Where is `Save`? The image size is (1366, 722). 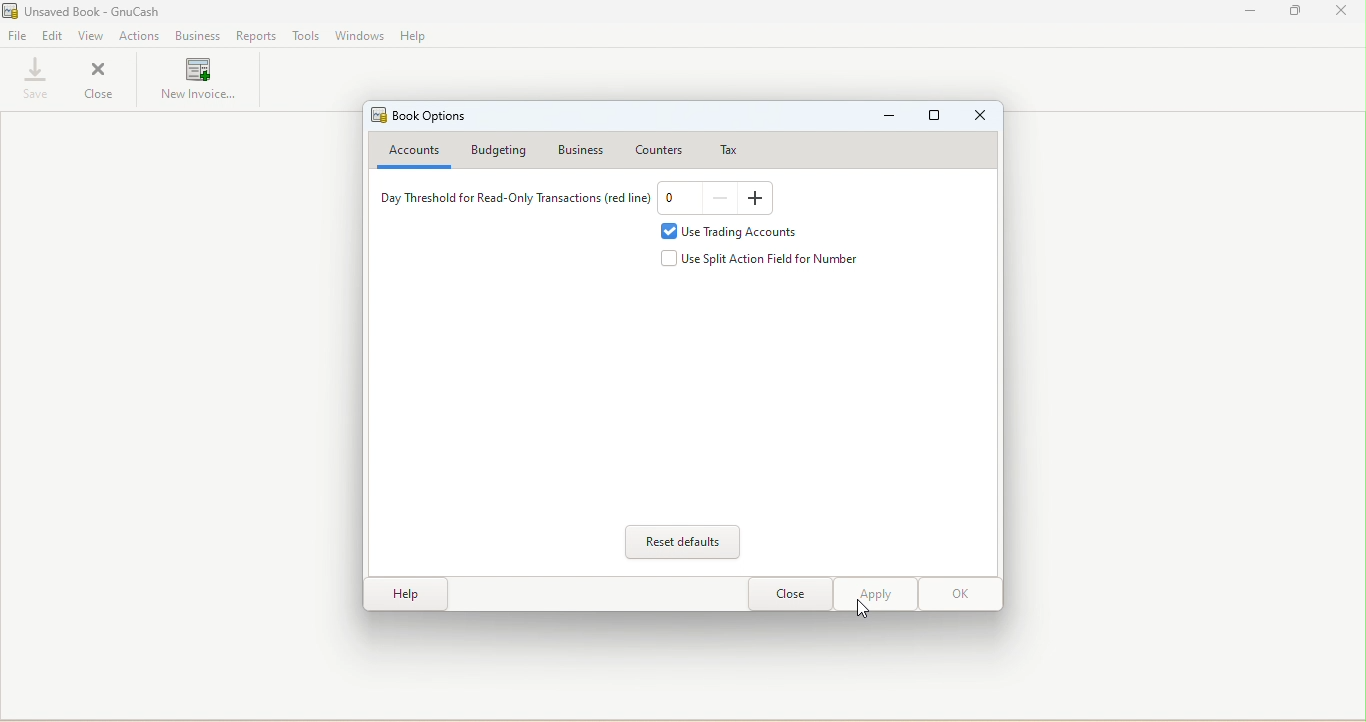
Save is located at coordinates (31, 78).